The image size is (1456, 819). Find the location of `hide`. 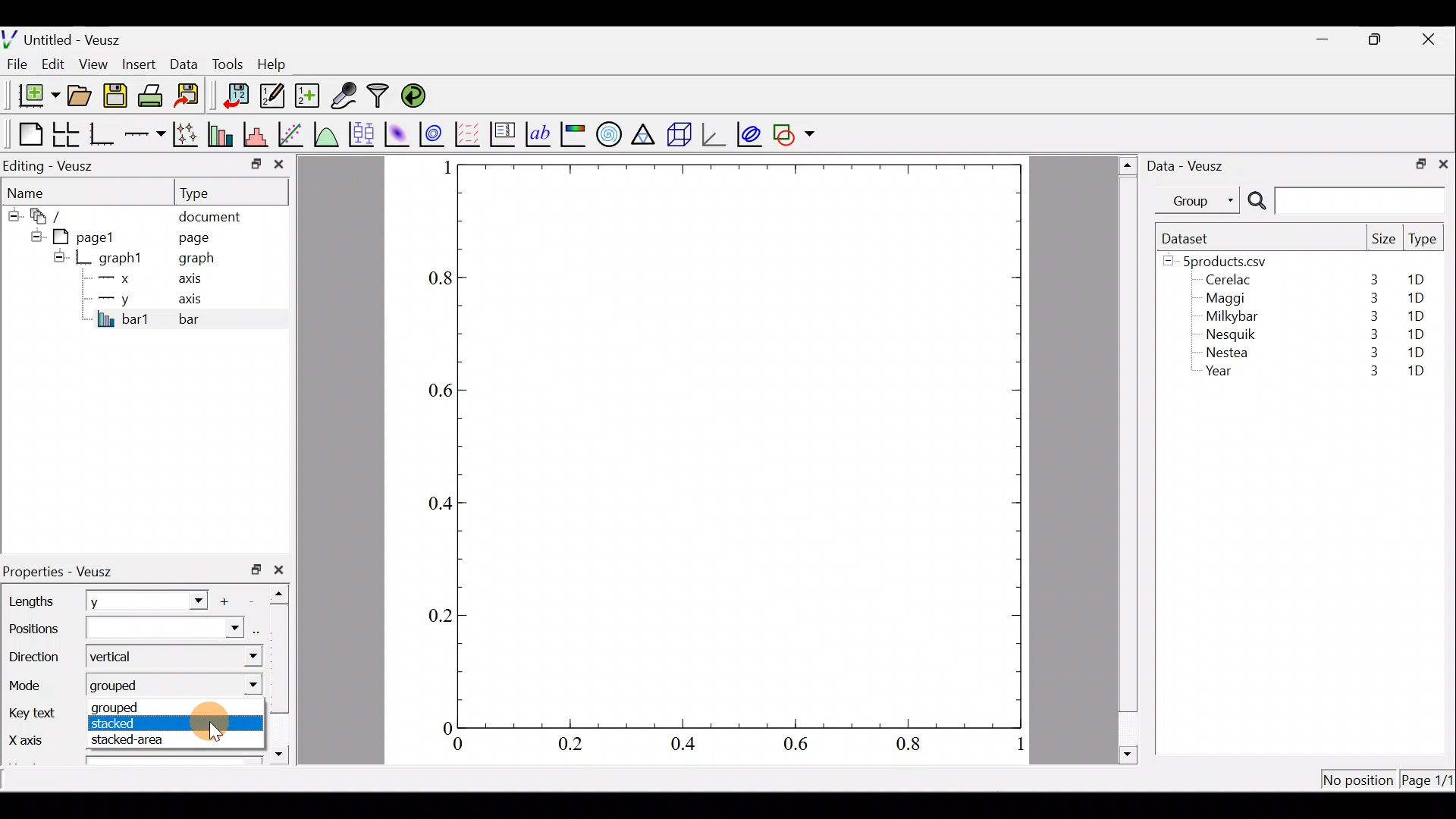

hide is located at coordinates (59, 256).